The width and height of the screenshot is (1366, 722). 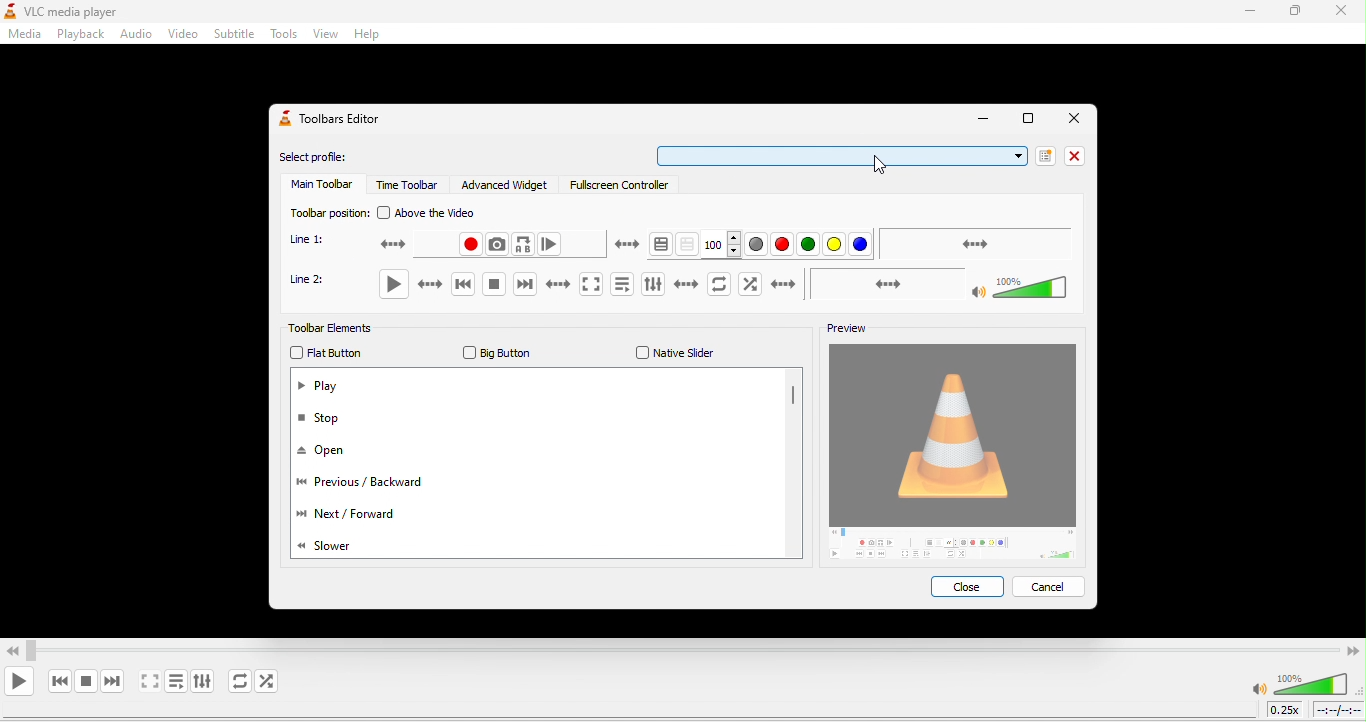 What do you see at coordinates (1049, 157) in the screenshot?
I see `new profile` at bounding box center [1049, 157].